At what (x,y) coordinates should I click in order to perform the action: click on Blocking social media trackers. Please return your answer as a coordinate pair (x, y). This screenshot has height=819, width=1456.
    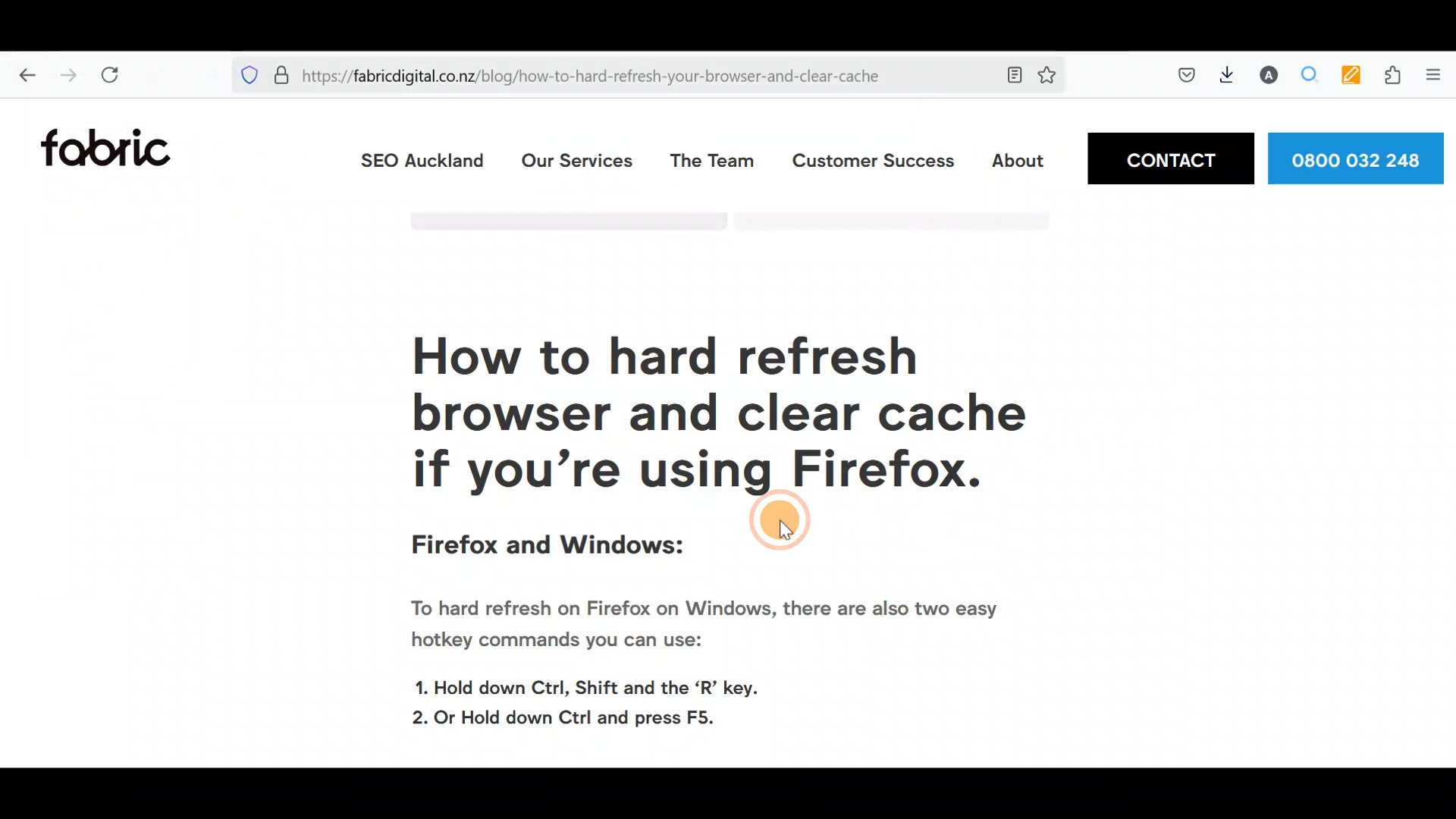
    Looking at the image, I should click on (243, 75).